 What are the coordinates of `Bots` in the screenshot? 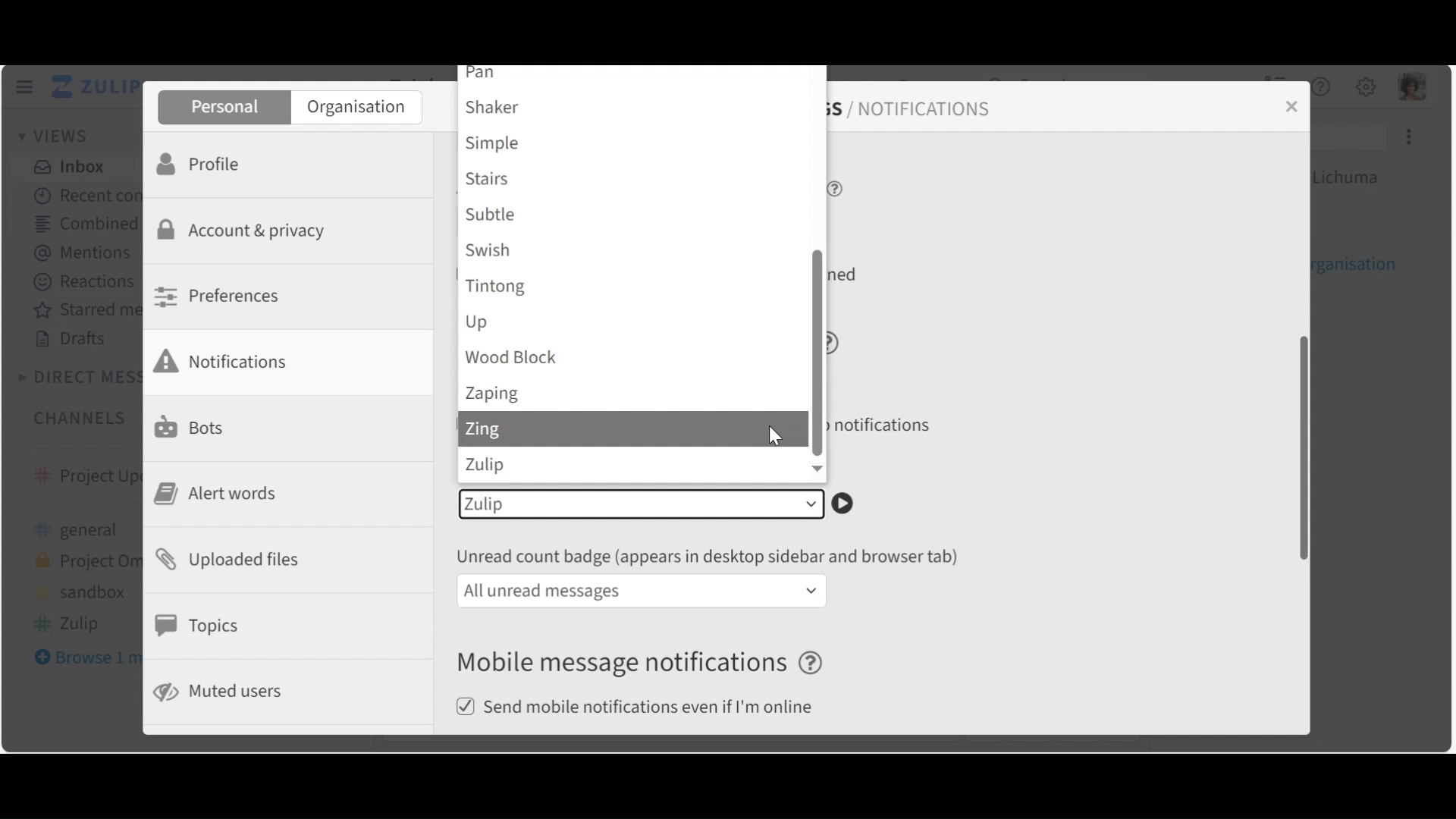 It's located at (193, 425).